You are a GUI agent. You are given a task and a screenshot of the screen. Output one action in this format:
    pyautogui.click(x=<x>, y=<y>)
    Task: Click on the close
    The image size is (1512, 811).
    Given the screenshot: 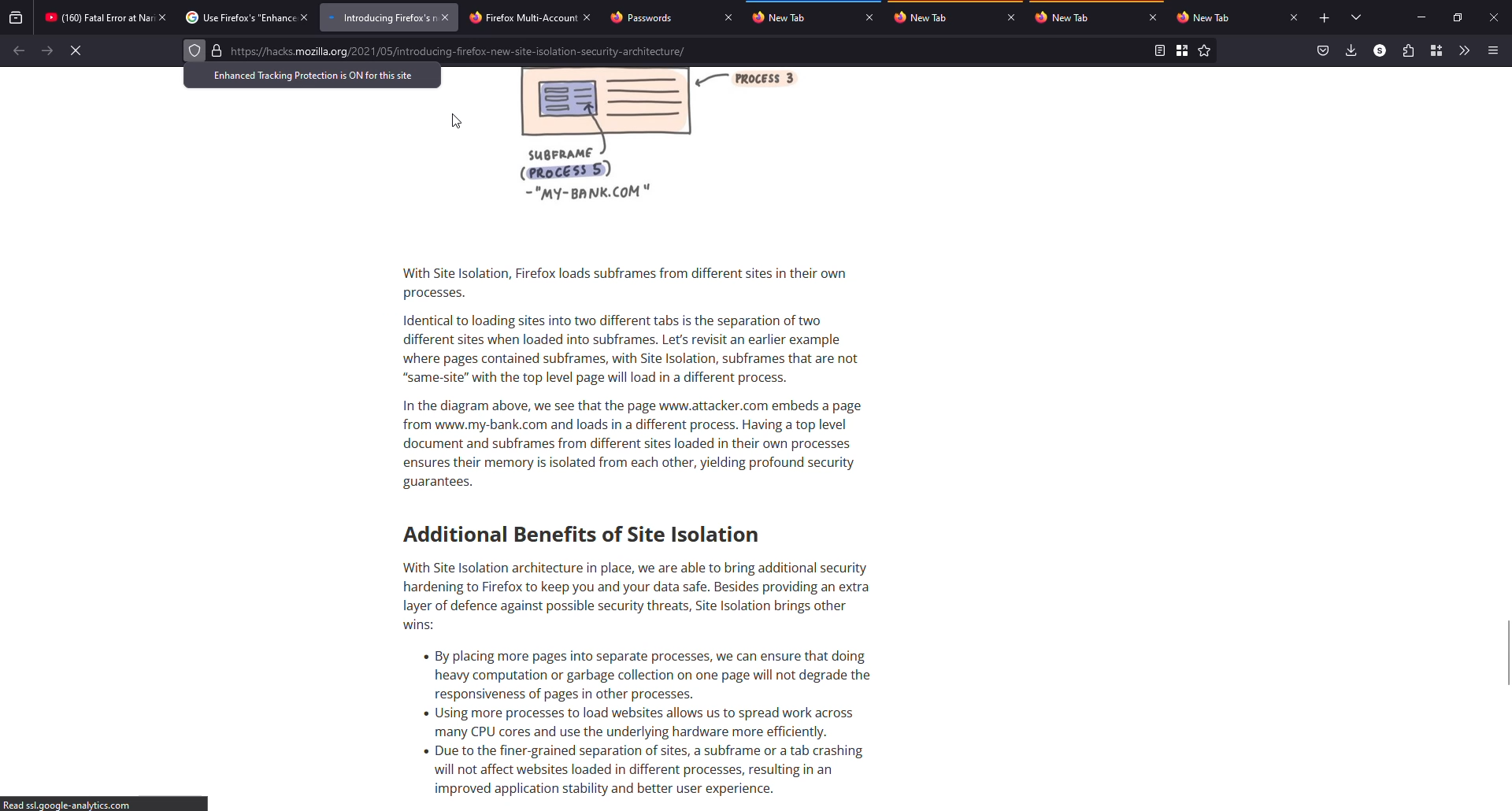 What is the action you would take?
    pyautogui.click(x=445, y=17)
    